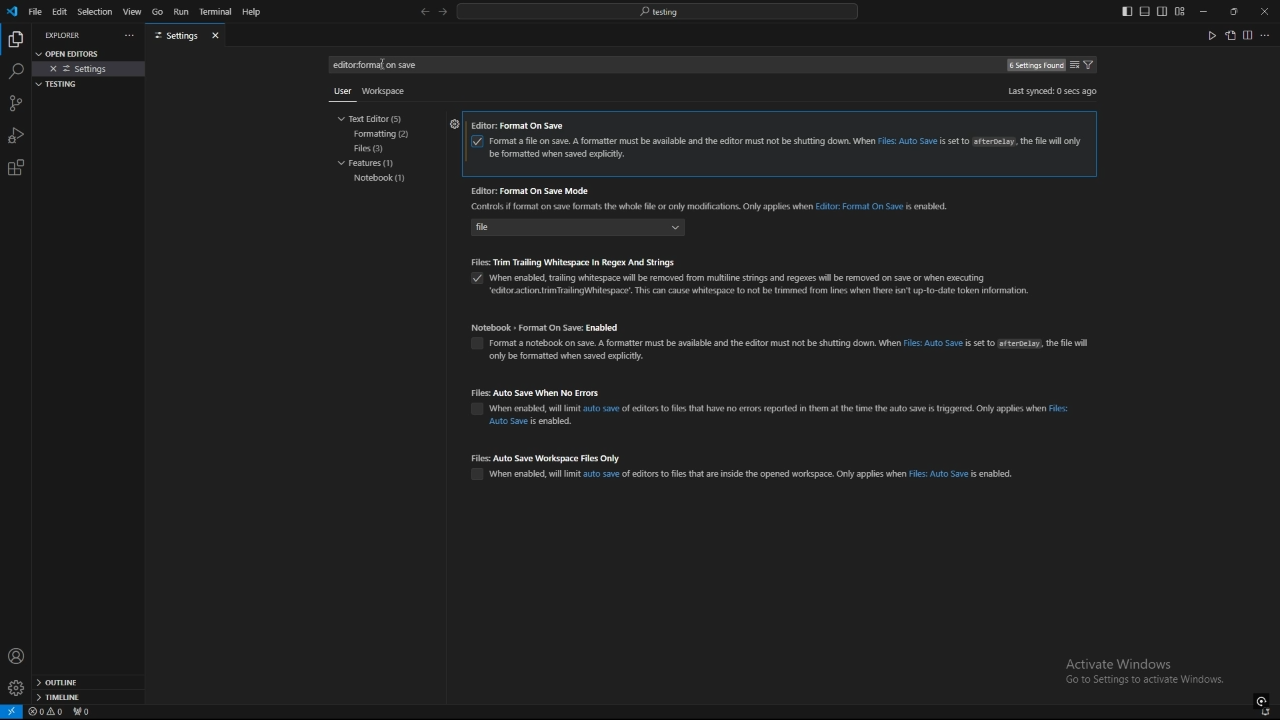 This screenshot has width=1280, height=720. Describe the element at coordinates (1266, 35) in the screenshot. I see `more actions` at that location.